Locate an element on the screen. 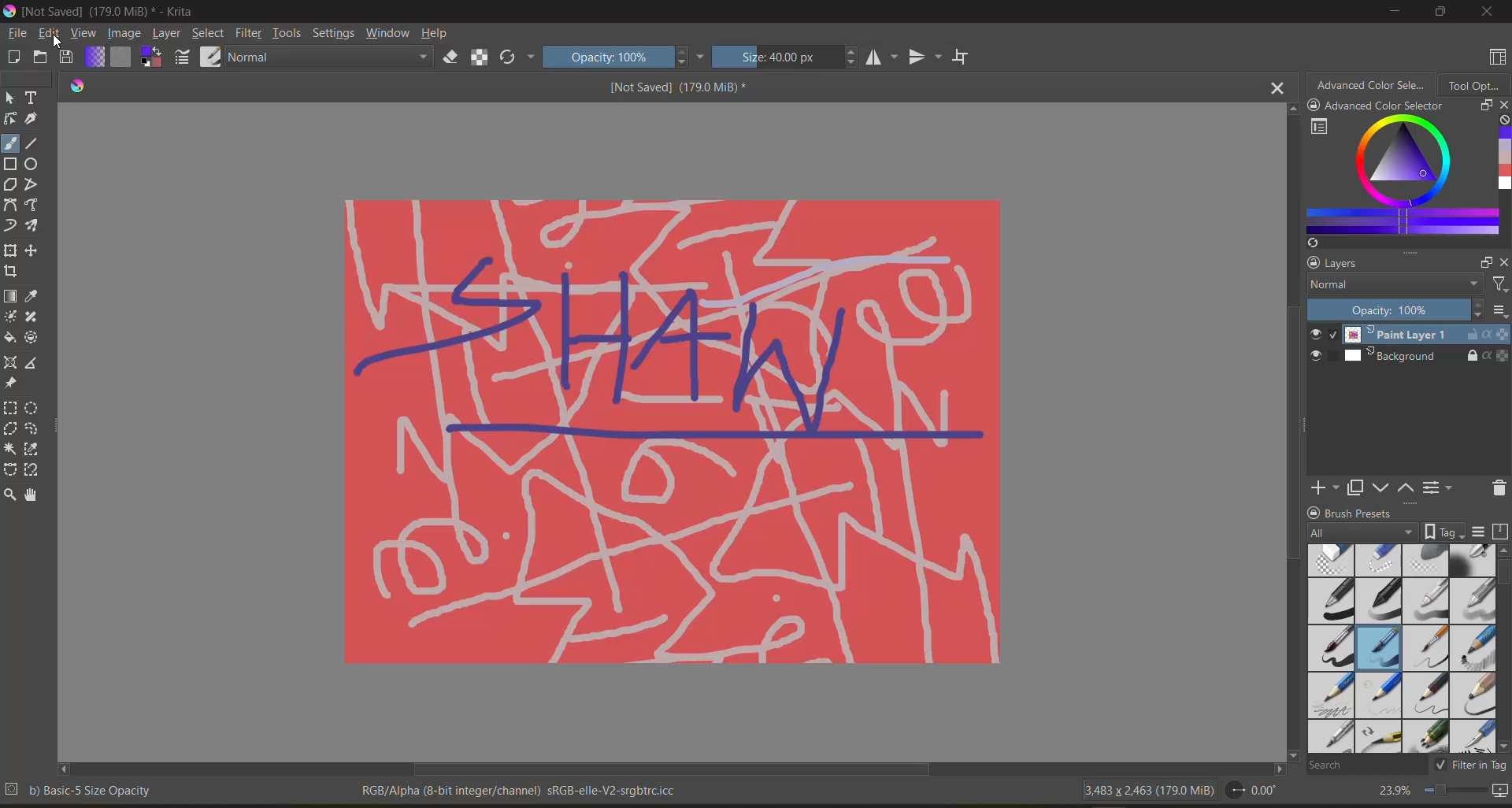 Image resolution: width=1512 pixels, height=808 pixels. Painting is located at coordinates (671, 432).